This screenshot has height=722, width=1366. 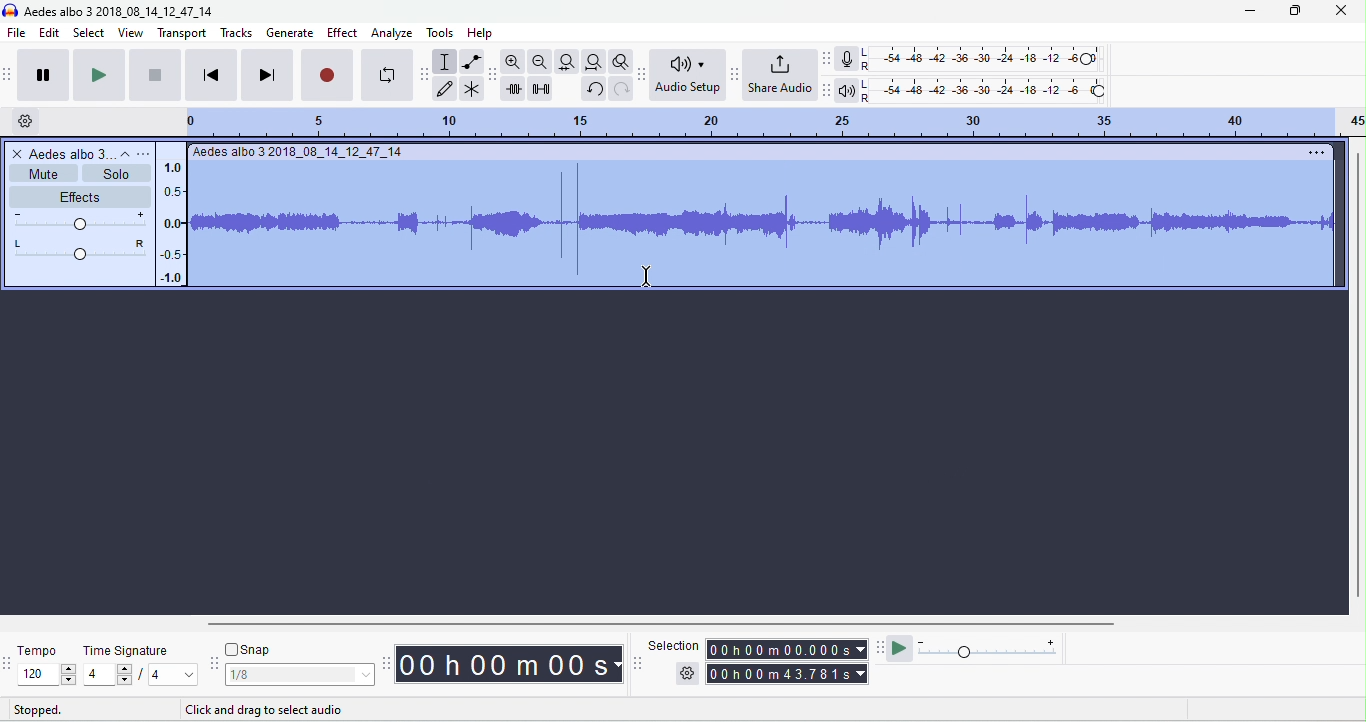 I want to click on effects, so click(x=79, y=196).